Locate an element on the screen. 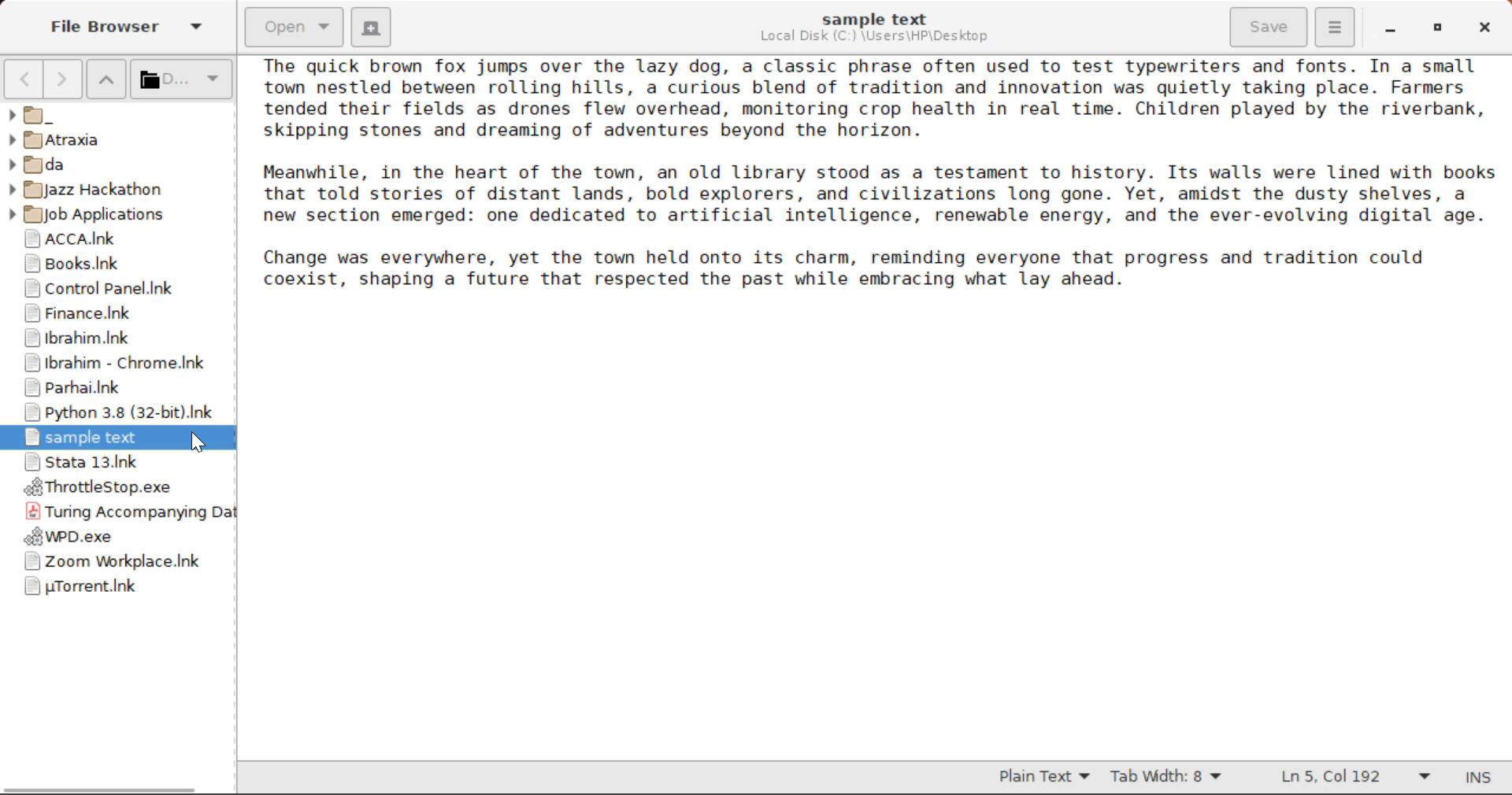 The height and width of the screenshot is (795, 1512). Ibrahim Folder Shortcut Link is located at coordinates (117, 339).